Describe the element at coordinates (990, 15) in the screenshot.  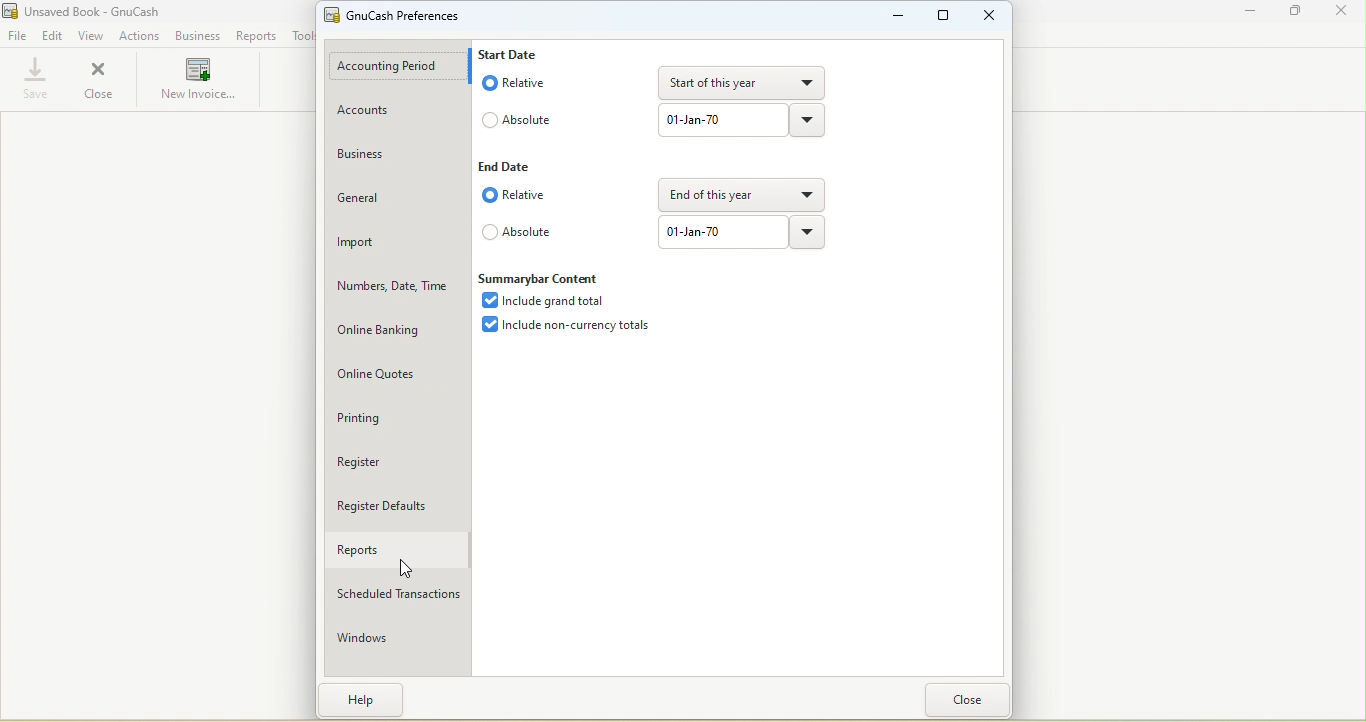
I see `Close` at that location.